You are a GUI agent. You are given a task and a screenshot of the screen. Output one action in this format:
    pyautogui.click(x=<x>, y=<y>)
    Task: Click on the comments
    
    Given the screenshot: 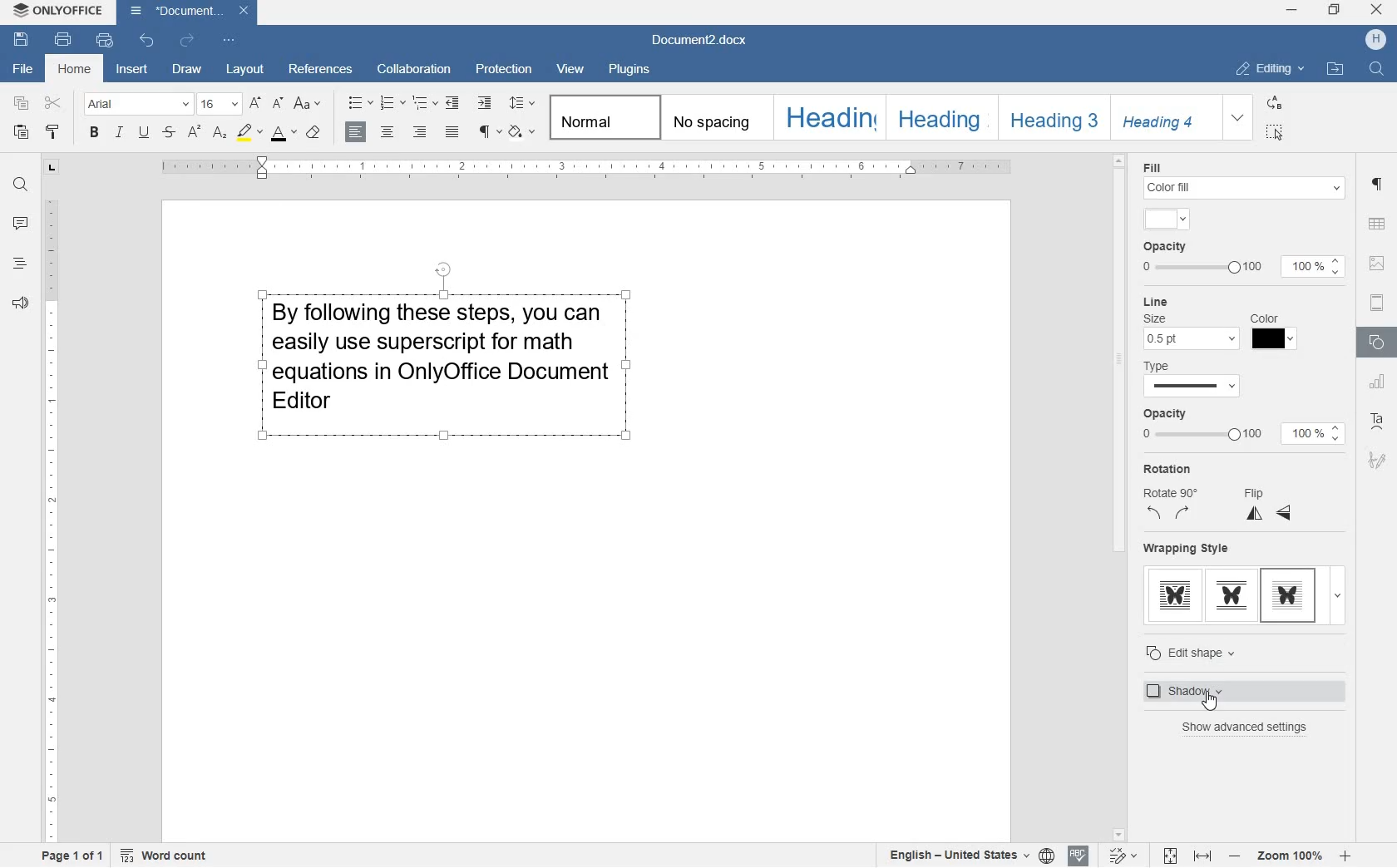 What is the action you would take?
    pyautogui.click(x=20, y=224)
    